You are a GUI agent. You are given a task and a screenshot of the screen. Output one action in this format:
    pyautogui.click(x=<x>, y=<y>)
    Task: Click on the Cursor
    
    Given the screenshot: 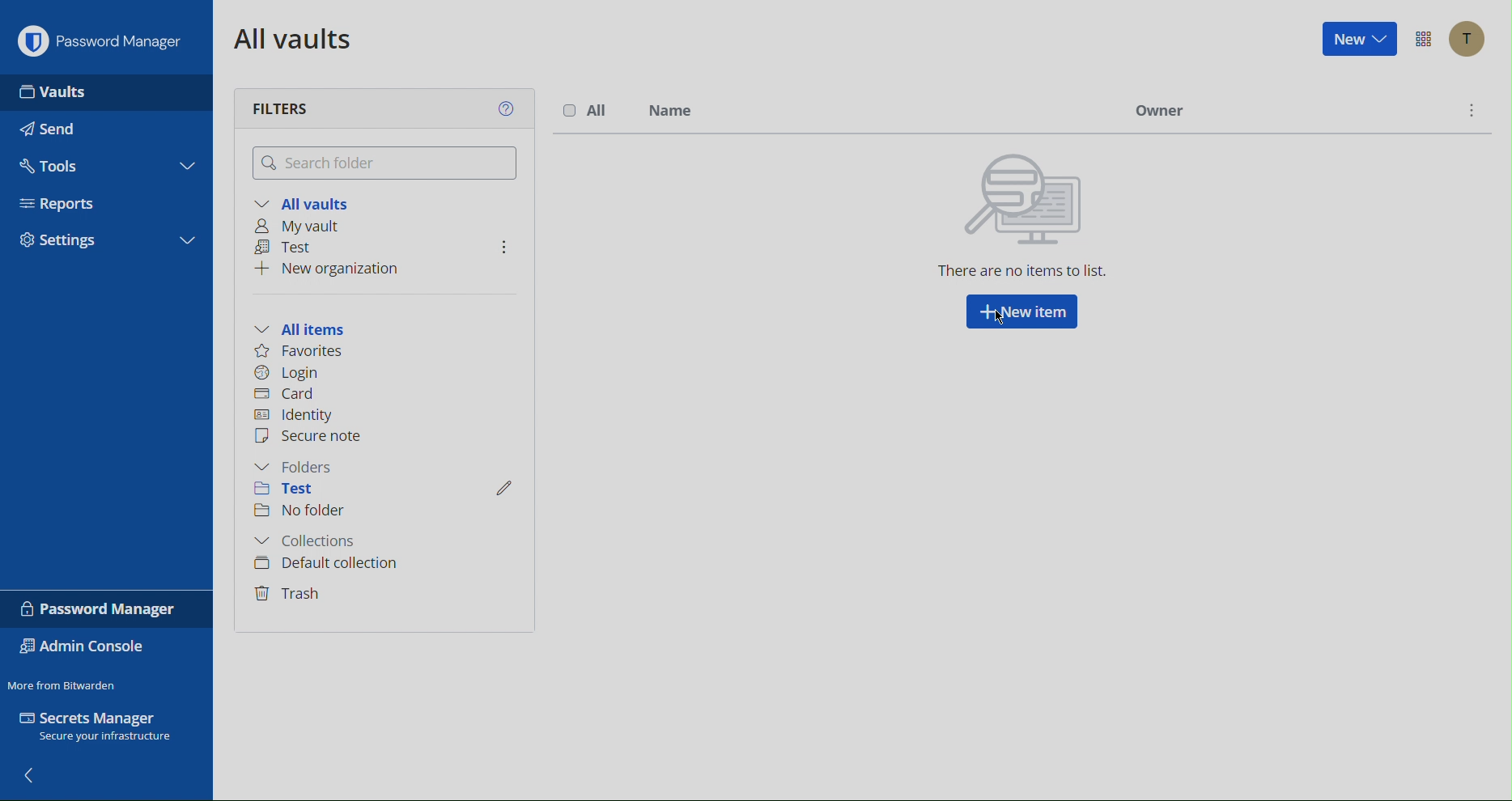 What is the action you would take?
    pyautogui.click(x=999, y=319)
    